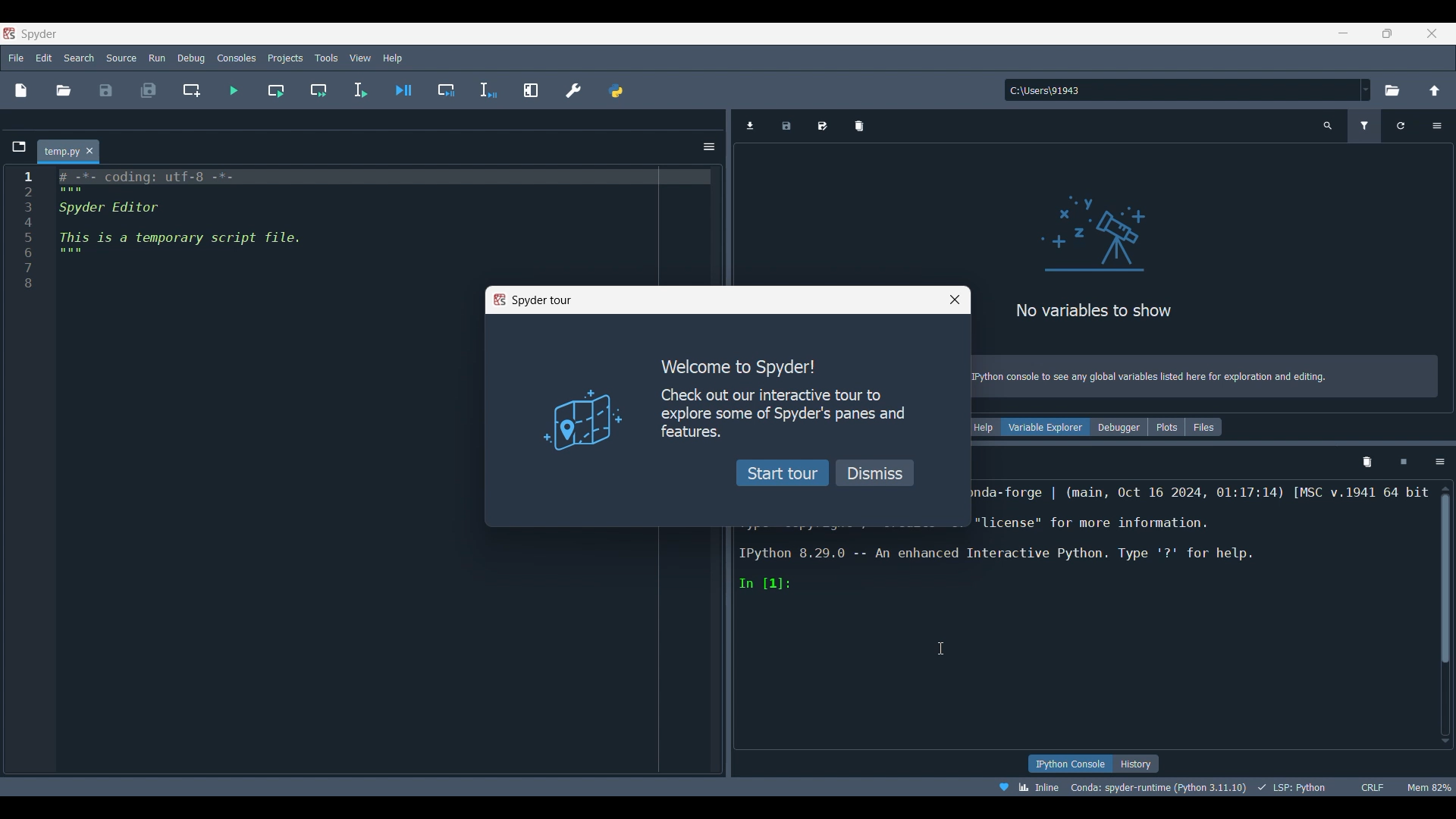 This screenshot has width=1456, height=819. What do you see at coordinates (1163, 425) in the screenshot?
I see `Plots` at bounding box center [1163, 425].